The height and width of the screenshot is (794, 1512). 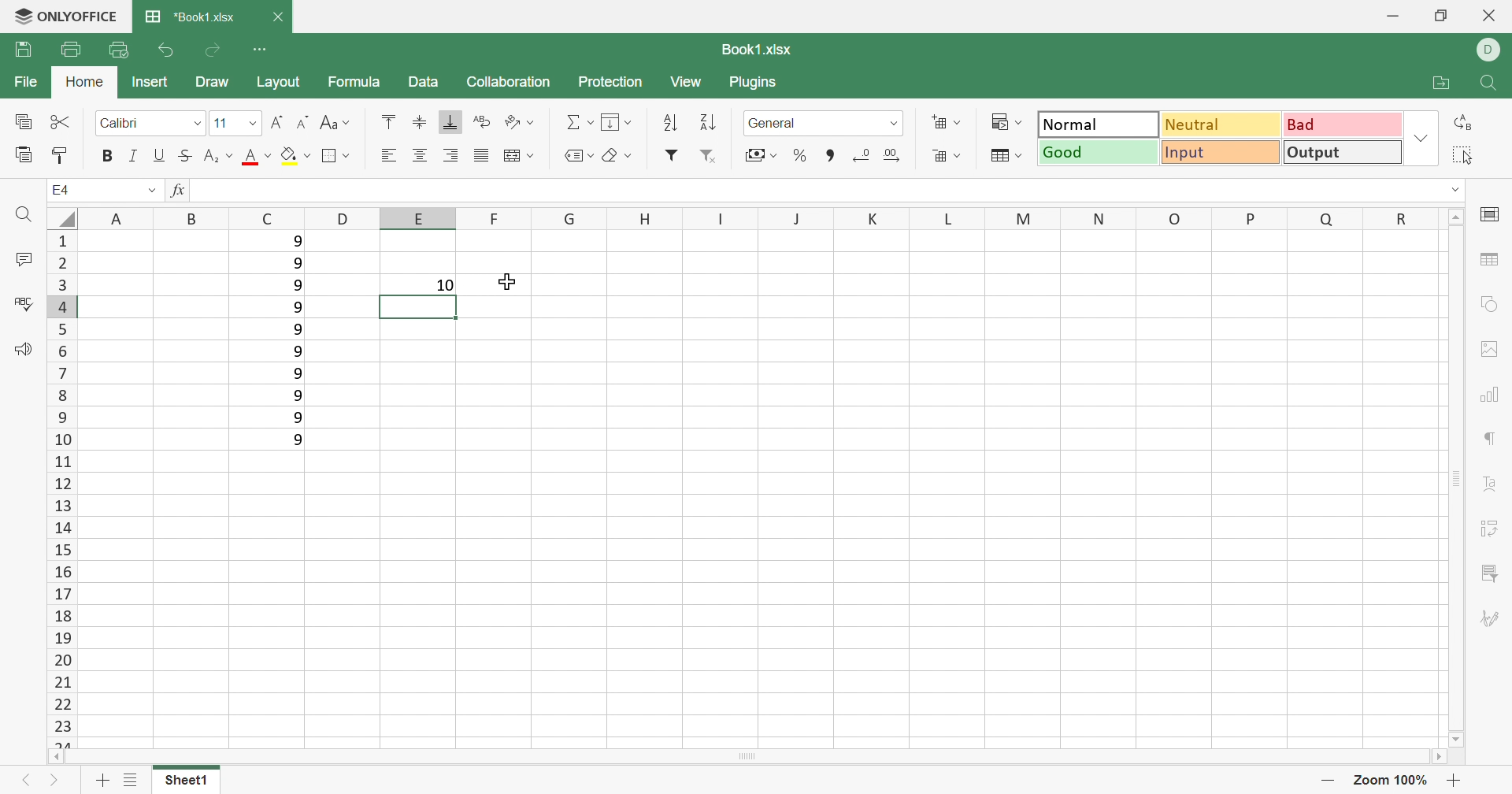 I want to click on Align Right, so click(x=453, y=155).